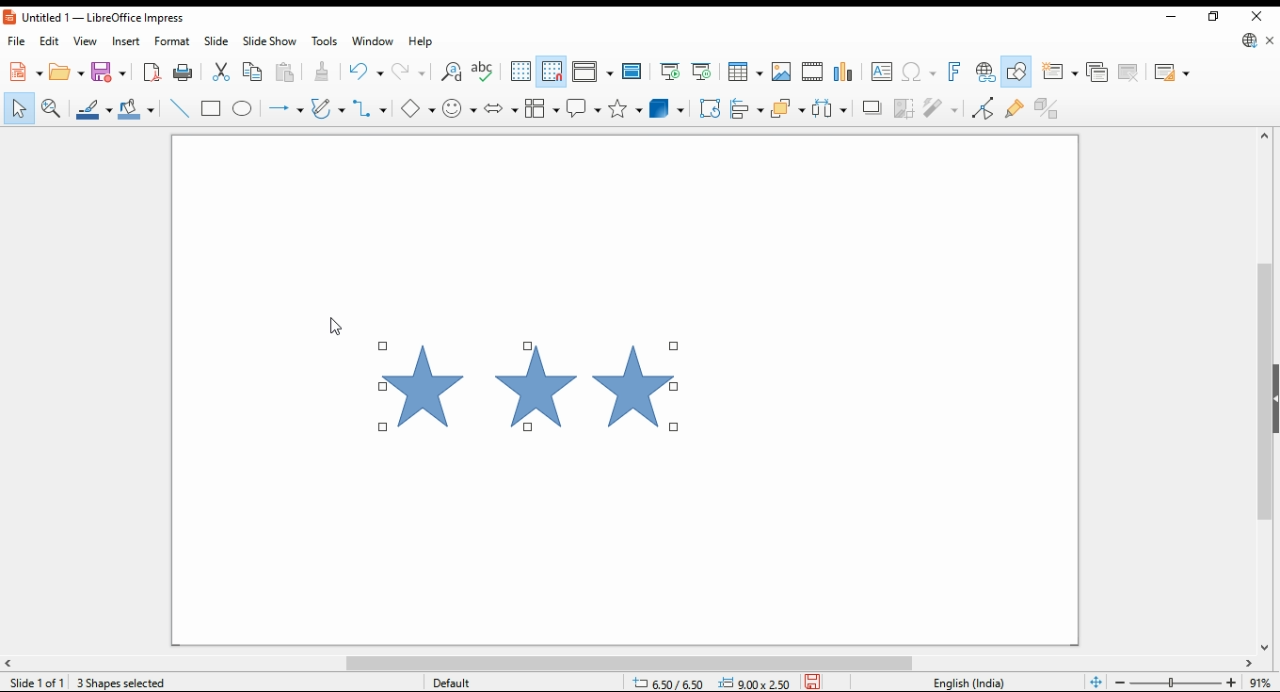 This screenshot has height=692, width=1280. I want to click on scroll bar, so click(640, 662).